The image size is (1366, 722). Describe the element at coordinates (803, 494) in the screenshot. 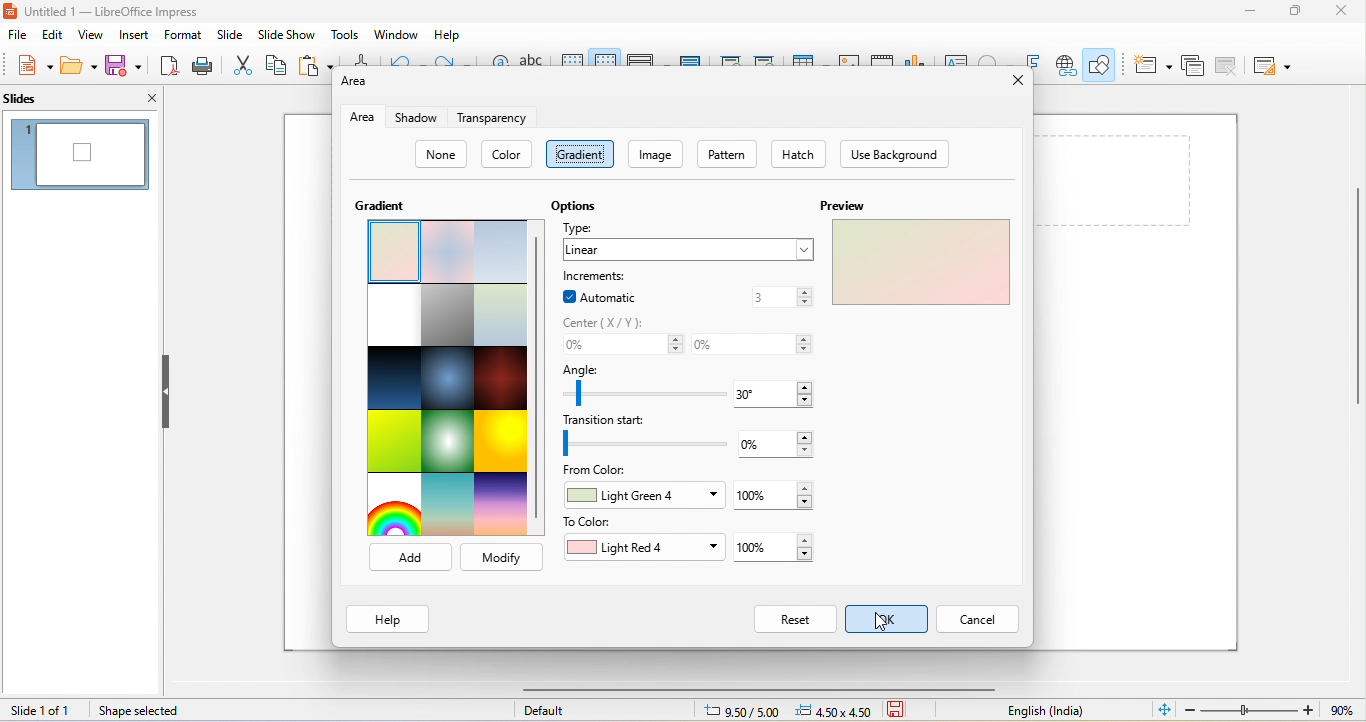

I see `adjust` at that location.